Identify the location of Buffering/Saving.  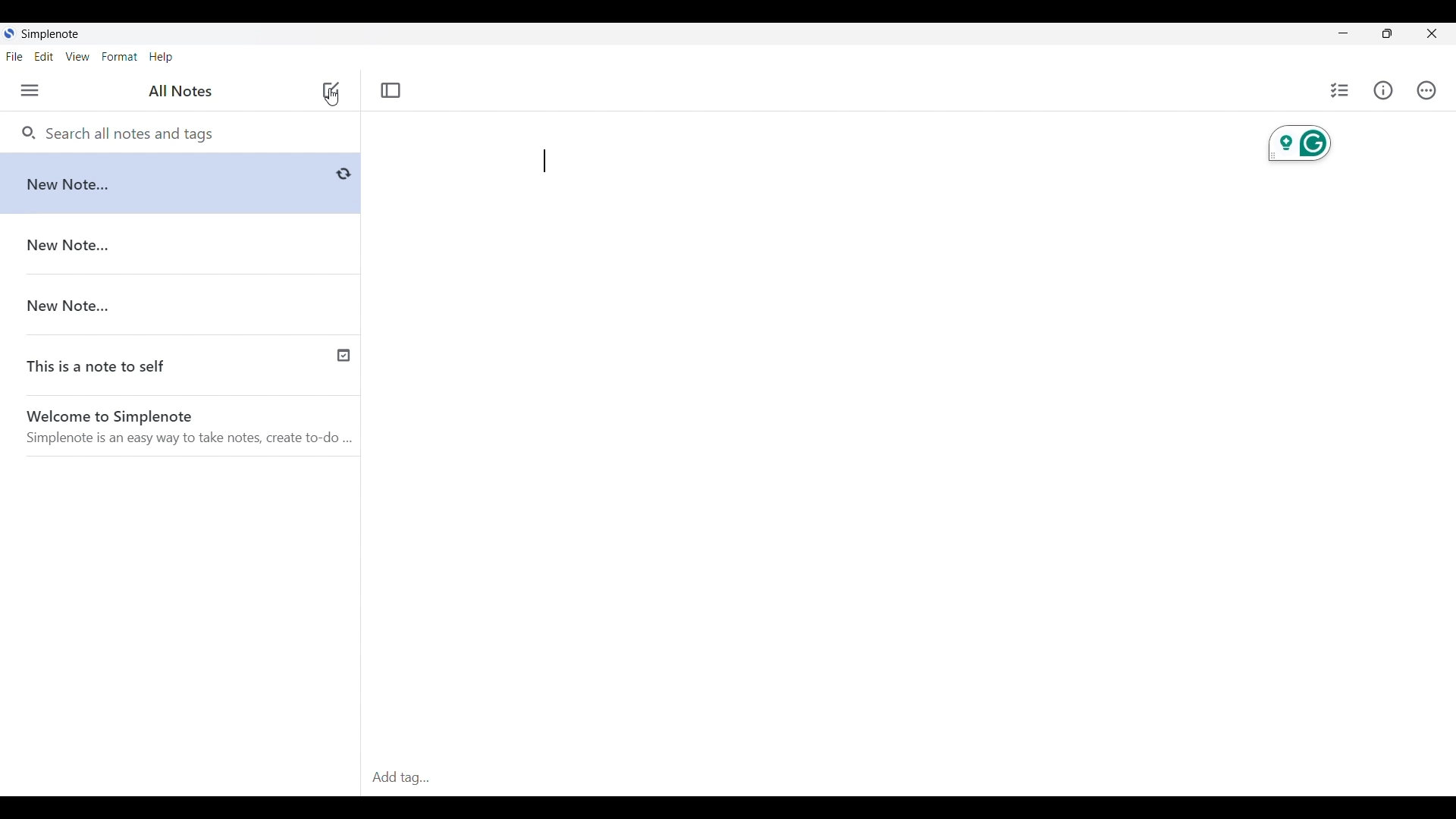
(344, 174).